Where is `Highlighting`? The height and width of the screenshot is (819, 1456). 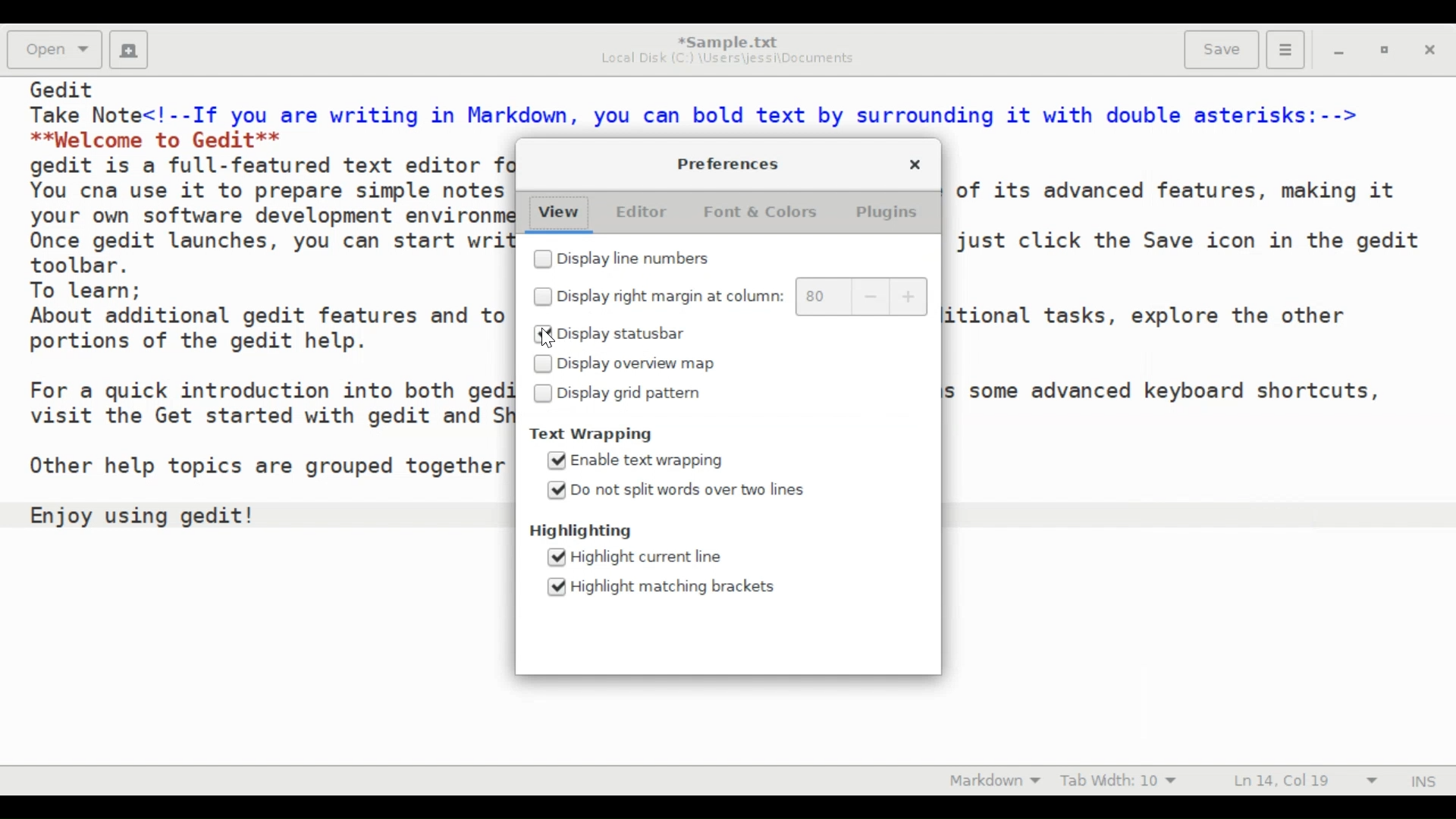 Highlighting is located at coordinates (581, 532).